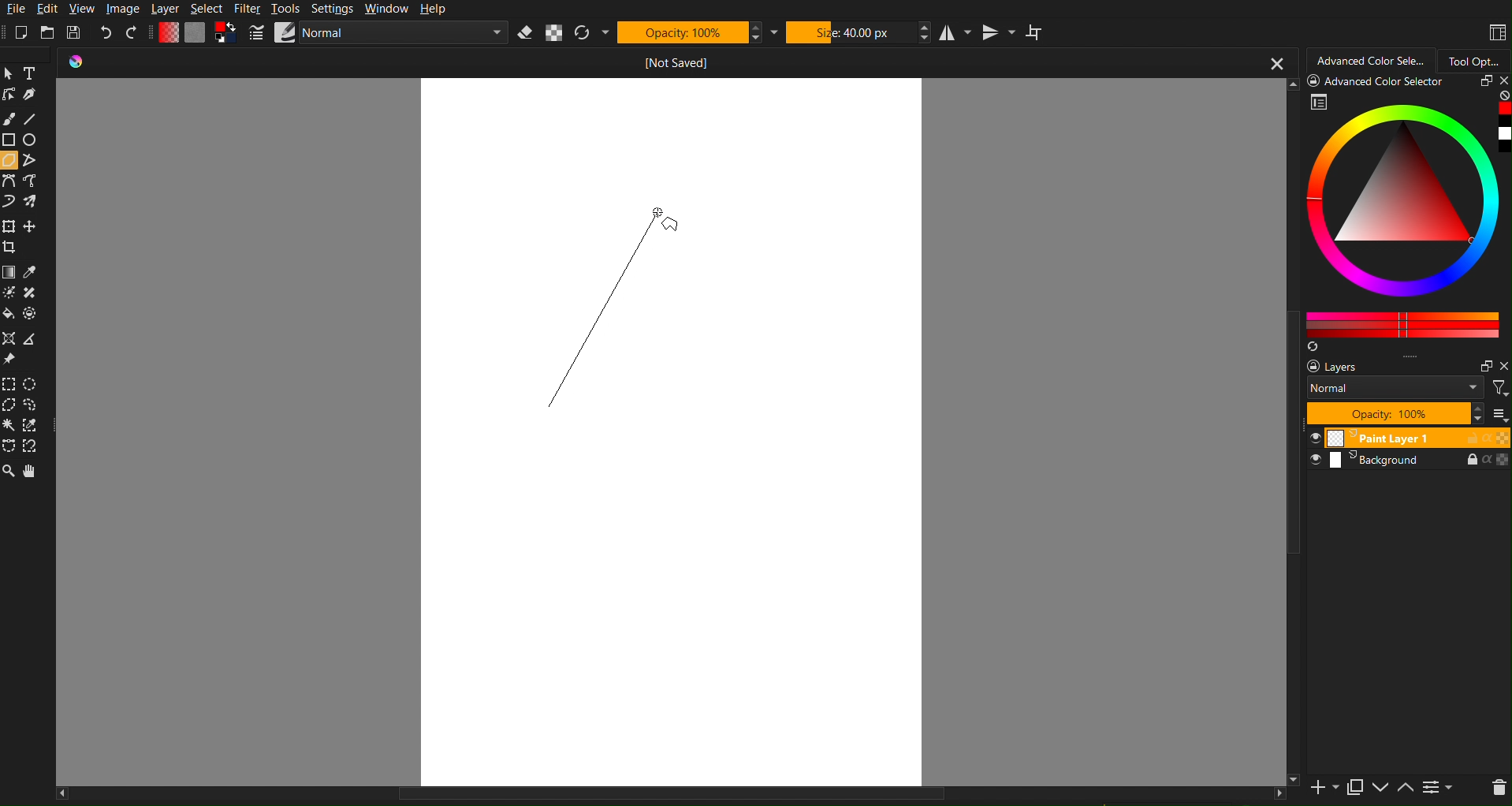 This screenshot has width=1512, height=806. What do you see at coordinates (35, 470) in the screenshot?
I see `Pan` at bounding box center [35, 470].